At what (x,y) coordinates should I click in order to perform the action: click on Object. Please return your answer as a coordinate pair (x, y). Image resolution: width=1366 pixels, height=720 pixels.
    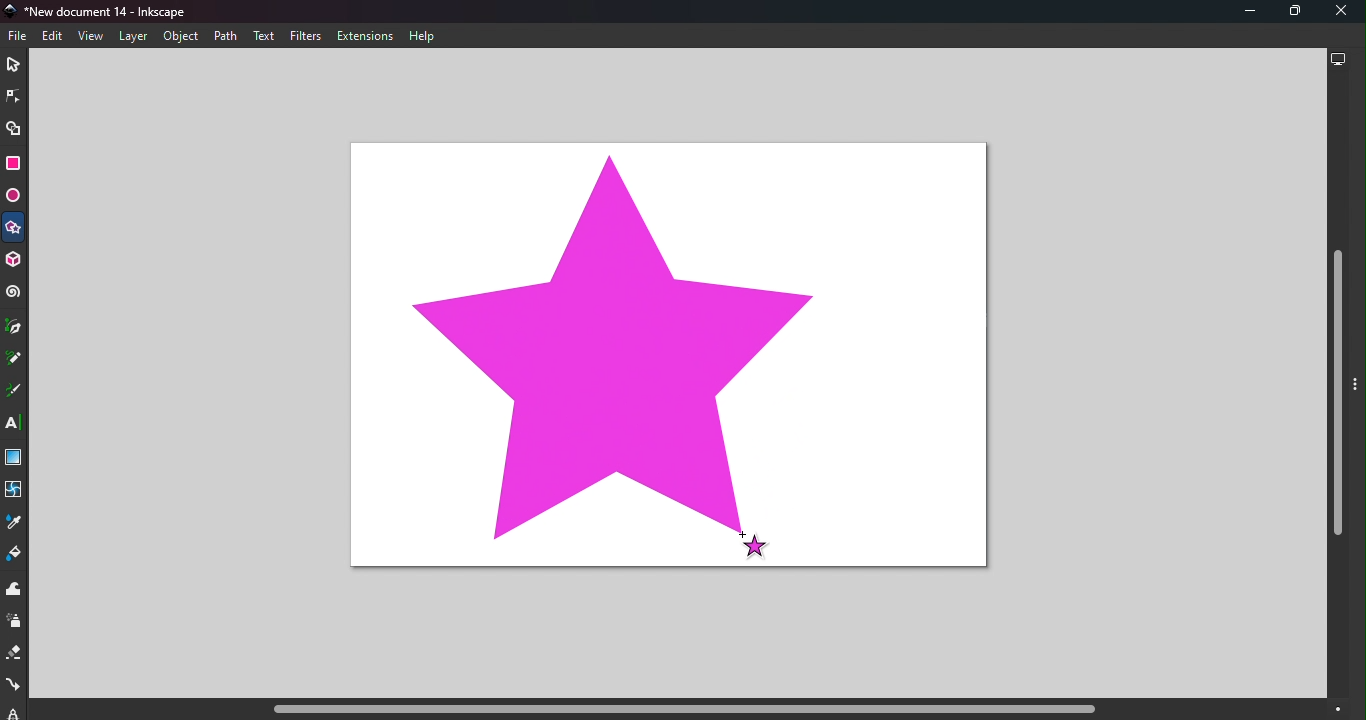
    Looking at the image, I should click on (180, 37).